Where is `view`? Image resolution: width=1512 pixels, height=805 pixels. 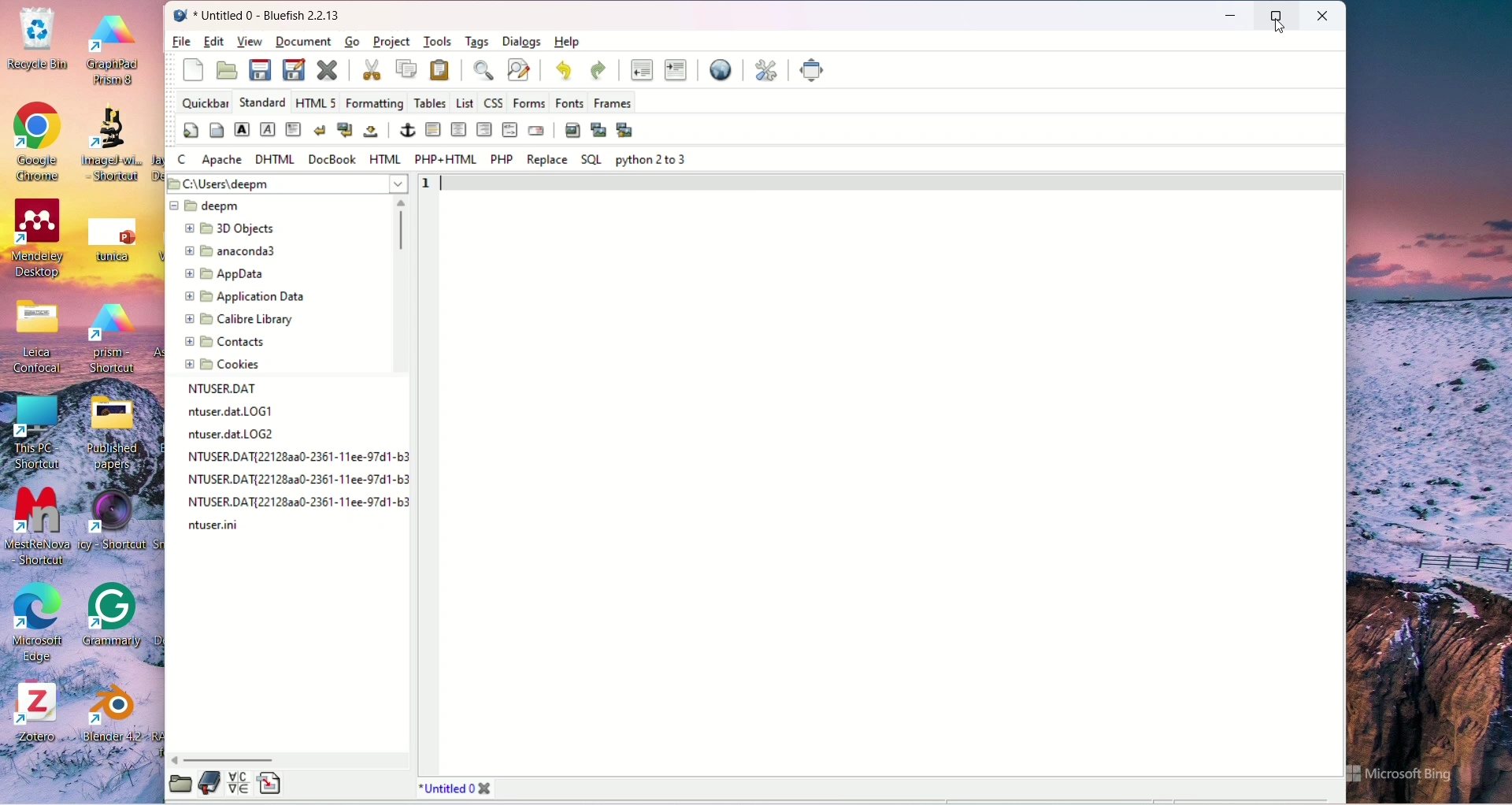 view is located at coordinates (250, 40).